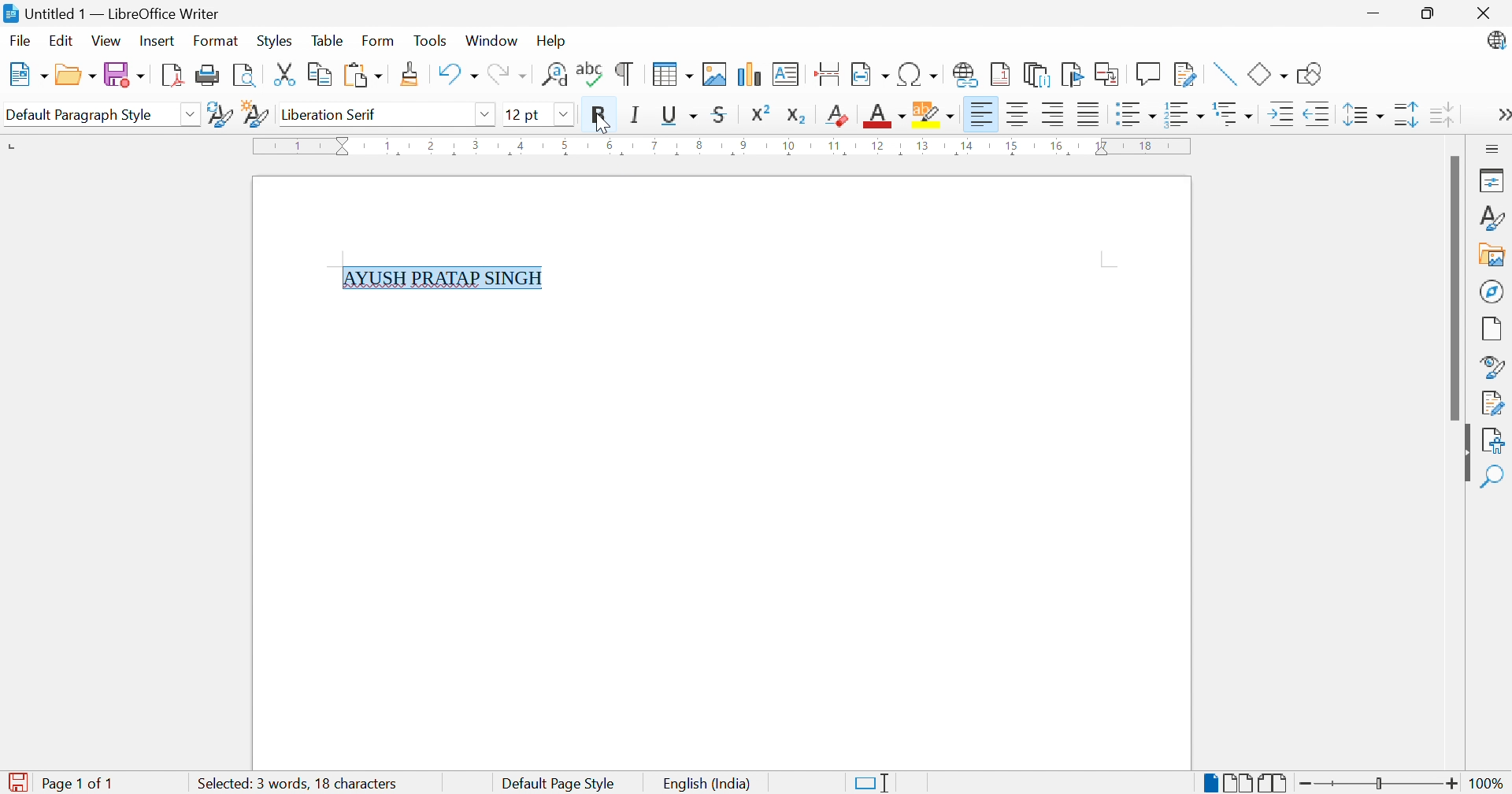 The image size is (1512, 794). What do you see at coordinates (328, 41) in the screenshot?
I see `Table` at bounding box center [328, 41].